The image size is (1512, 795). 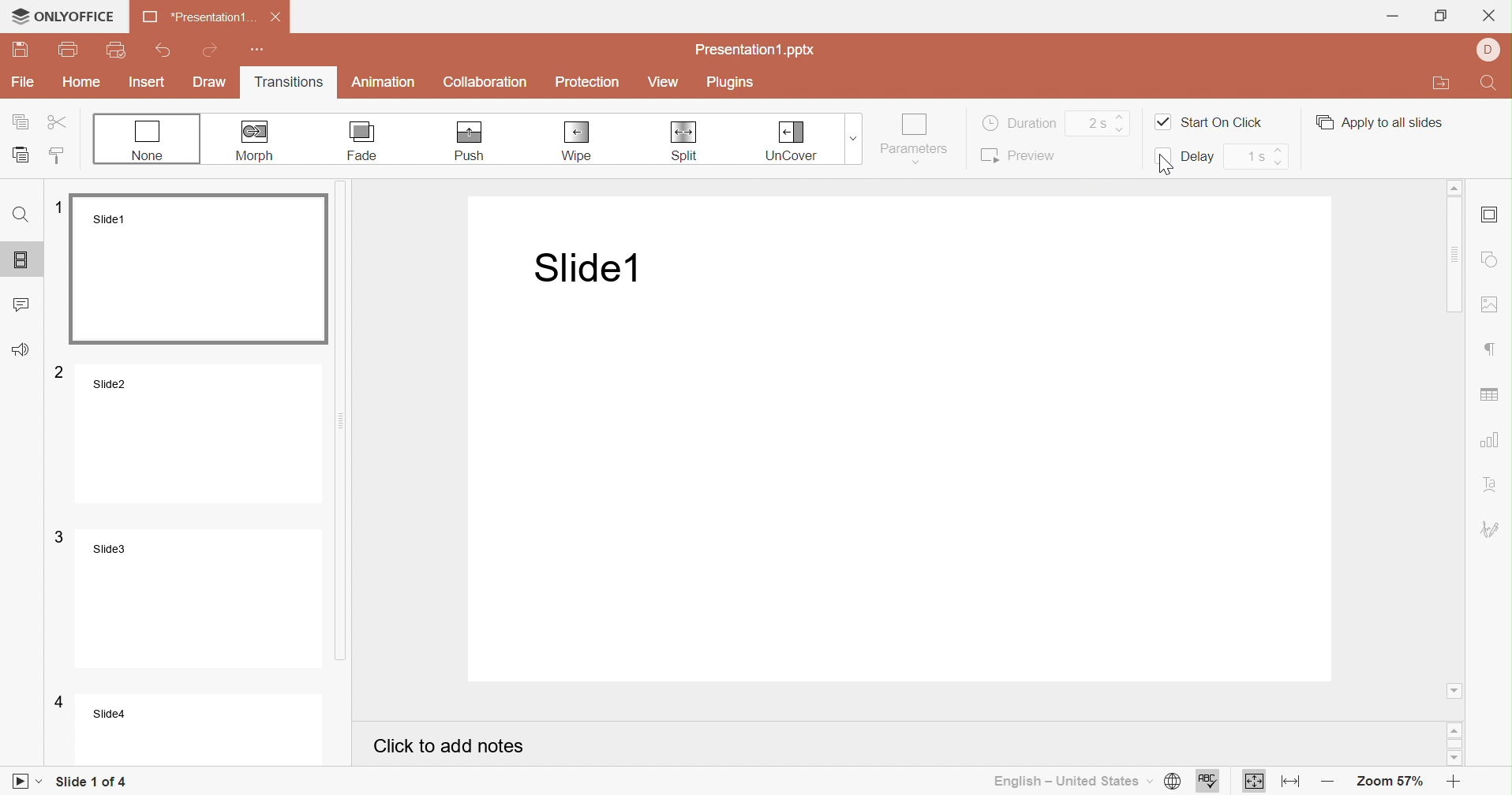 I want to click on File, so click(x=23, y=83).